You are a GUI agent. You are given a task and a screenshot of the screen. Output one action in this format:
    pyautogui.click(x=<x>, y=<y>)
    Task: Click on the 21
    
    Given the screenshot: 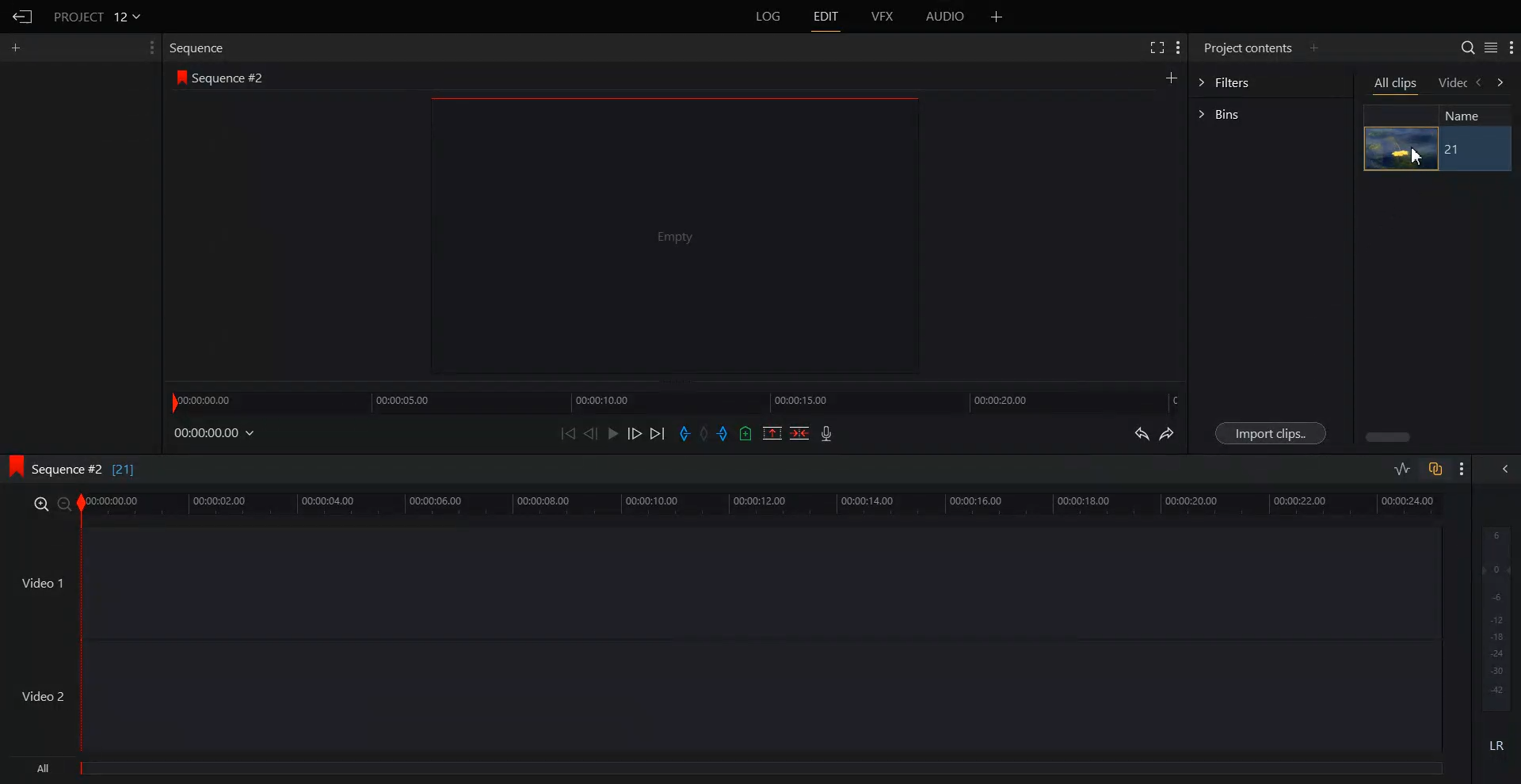 What is the action you would take?
    pyautogui.click(x=1454, y=150)
    